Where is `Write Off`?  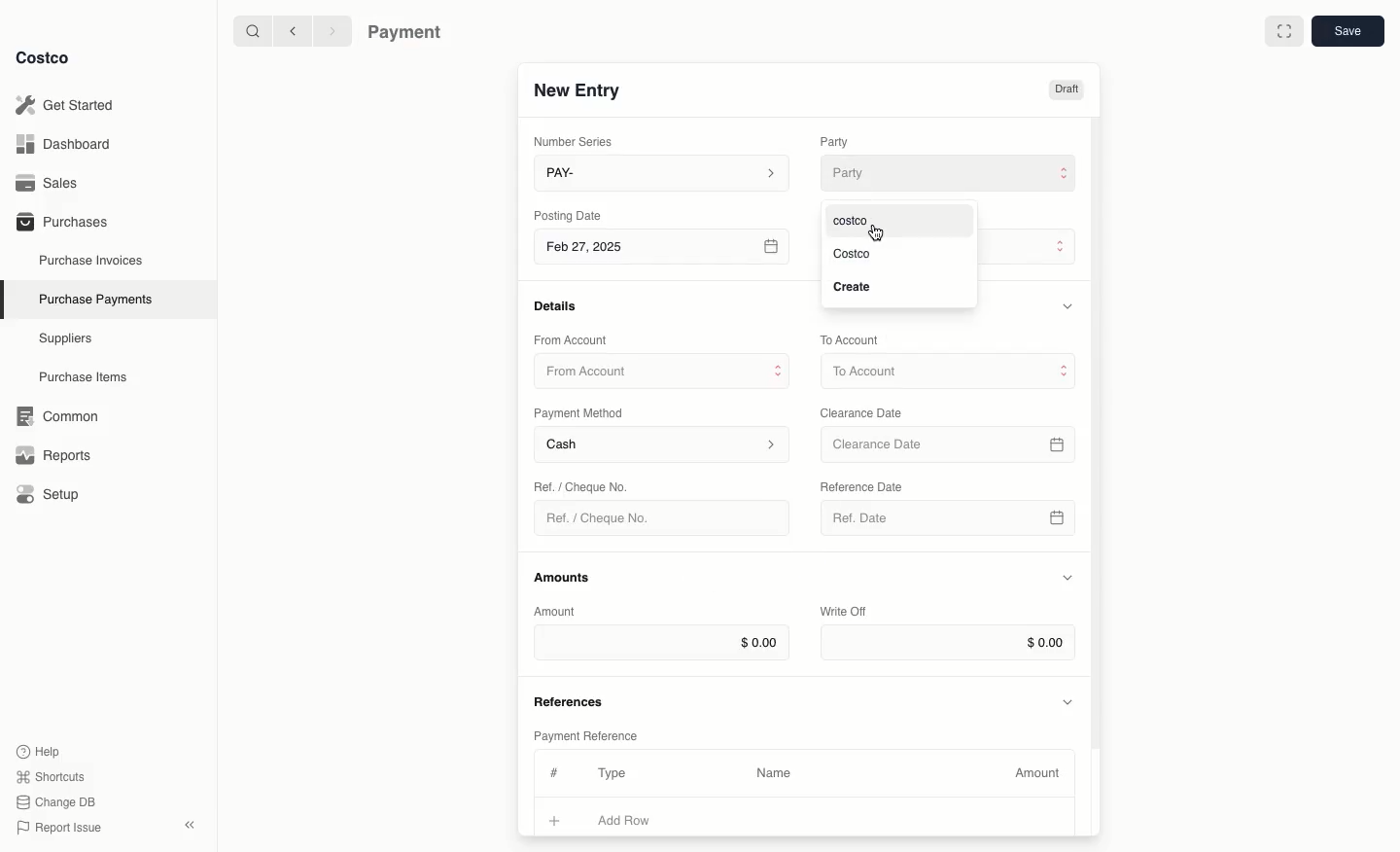 Write Off is located at coordinates (844, 613).